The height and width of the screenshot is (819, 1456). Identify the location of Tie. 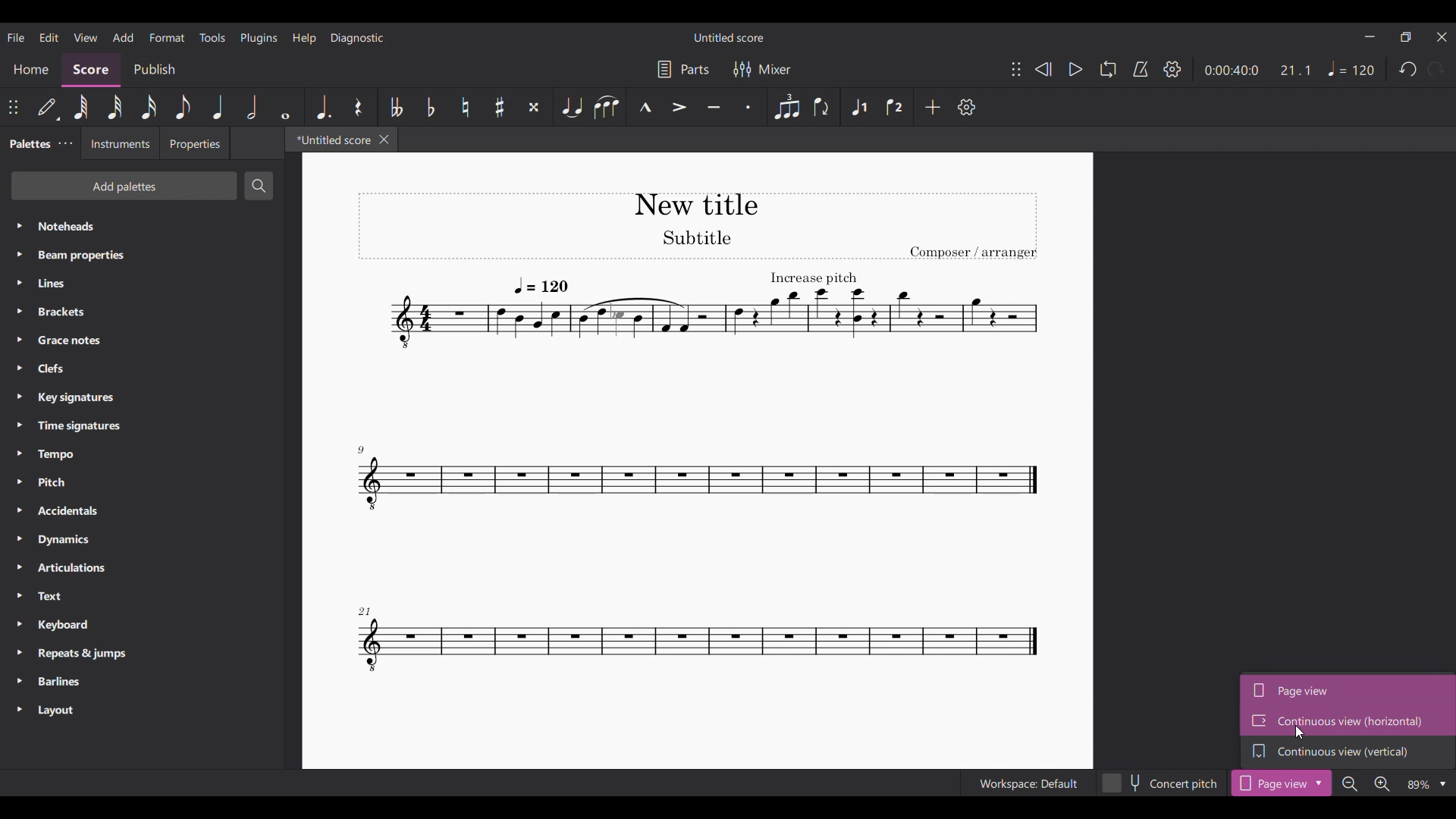
(570, 107).